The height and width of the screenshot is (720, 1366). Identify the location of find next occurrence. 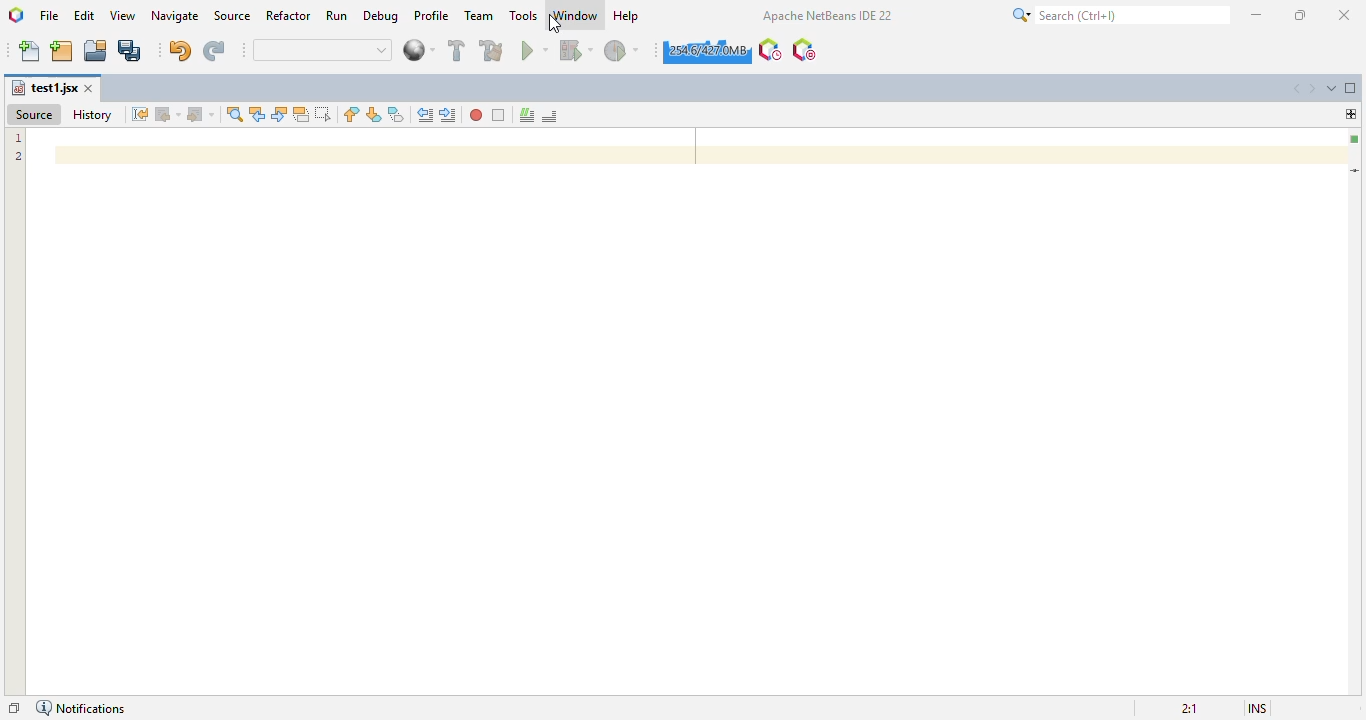
(279, 115).